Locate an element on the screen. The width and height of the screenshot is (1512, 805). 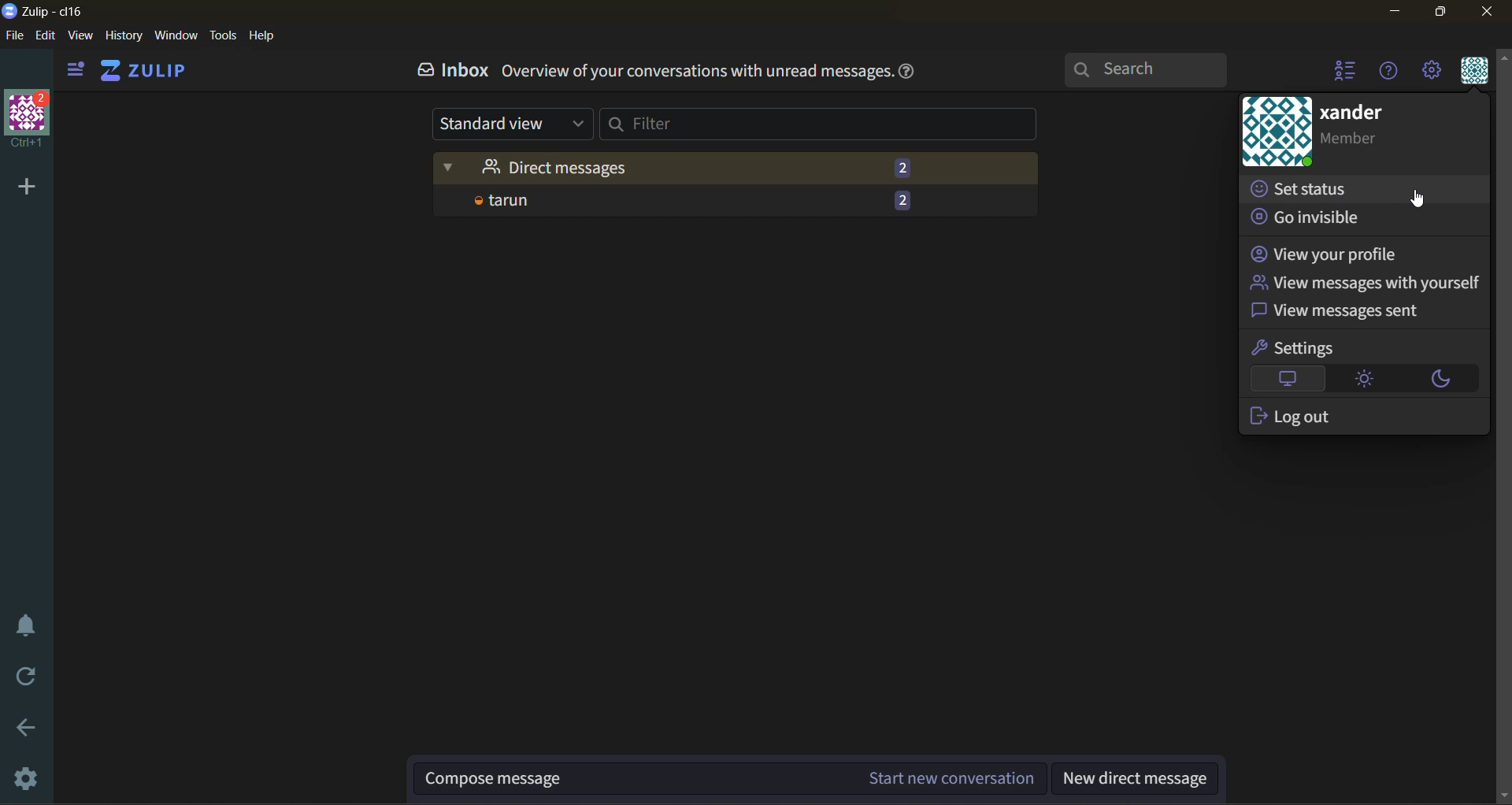
view home is located at coordinates (146, 71).